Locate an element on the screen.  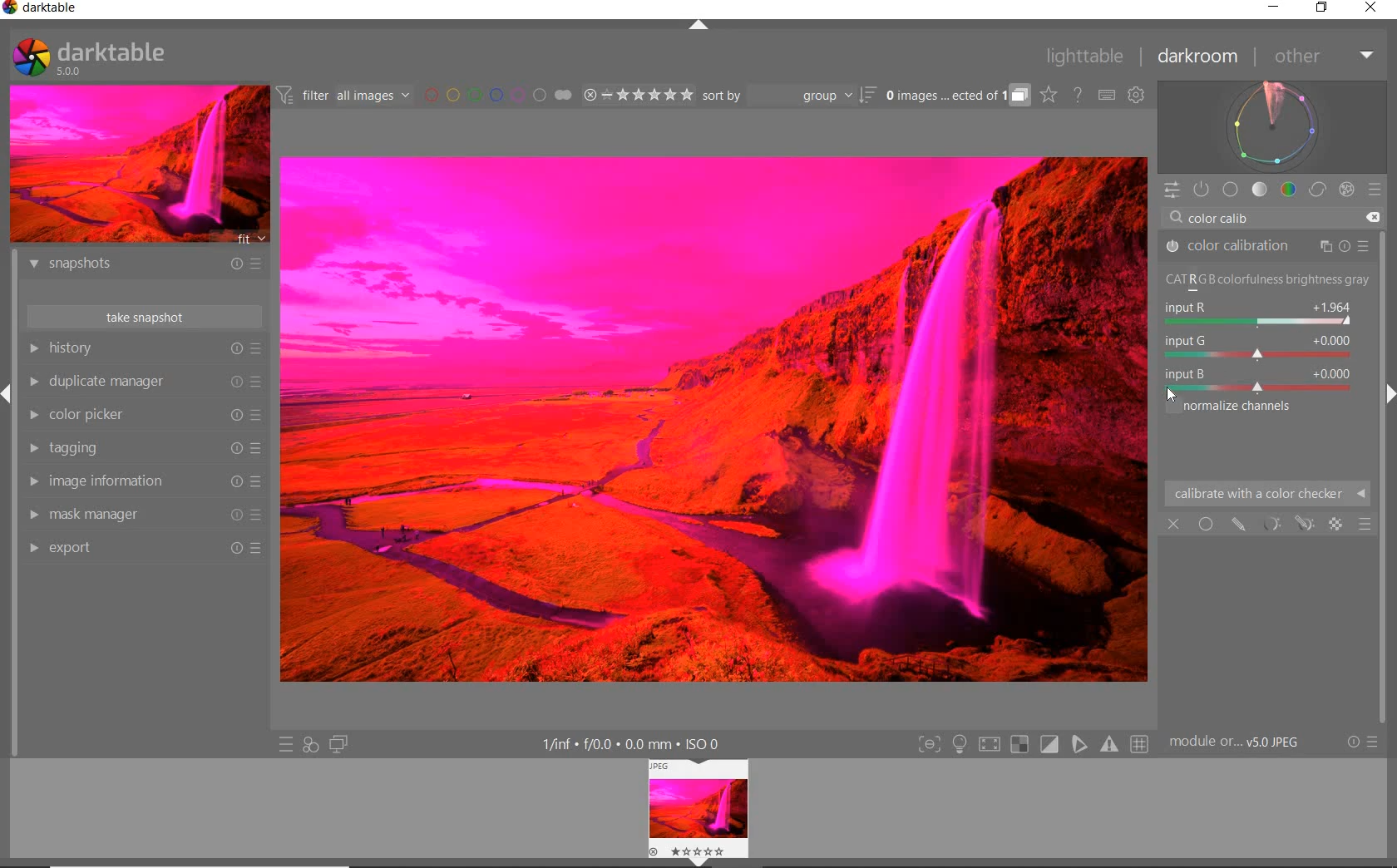
QUICK ACCESS TO PRESET is located at coordinates (285, 743).